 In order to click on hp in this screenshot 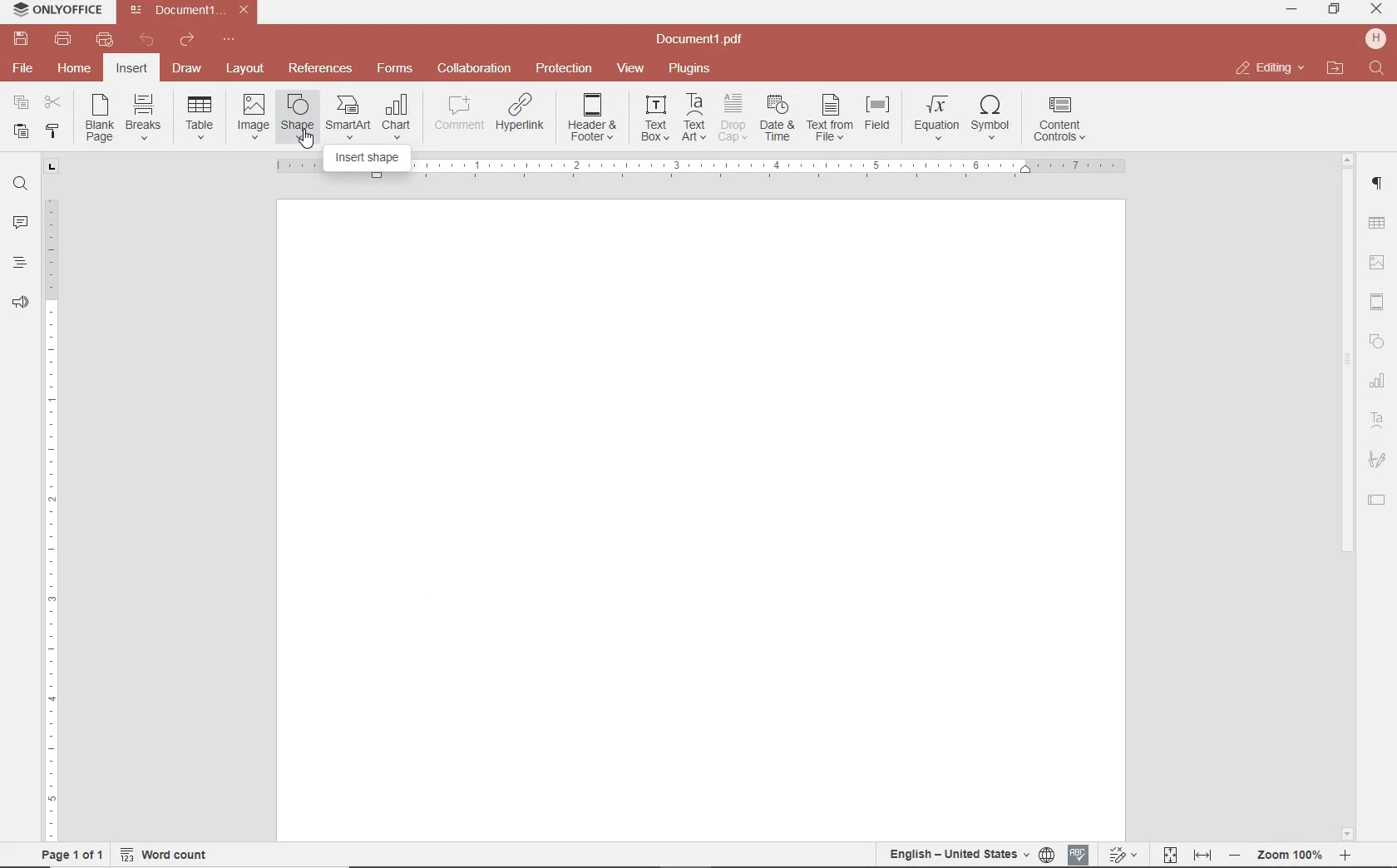, I will do `click(1379, 38)`.